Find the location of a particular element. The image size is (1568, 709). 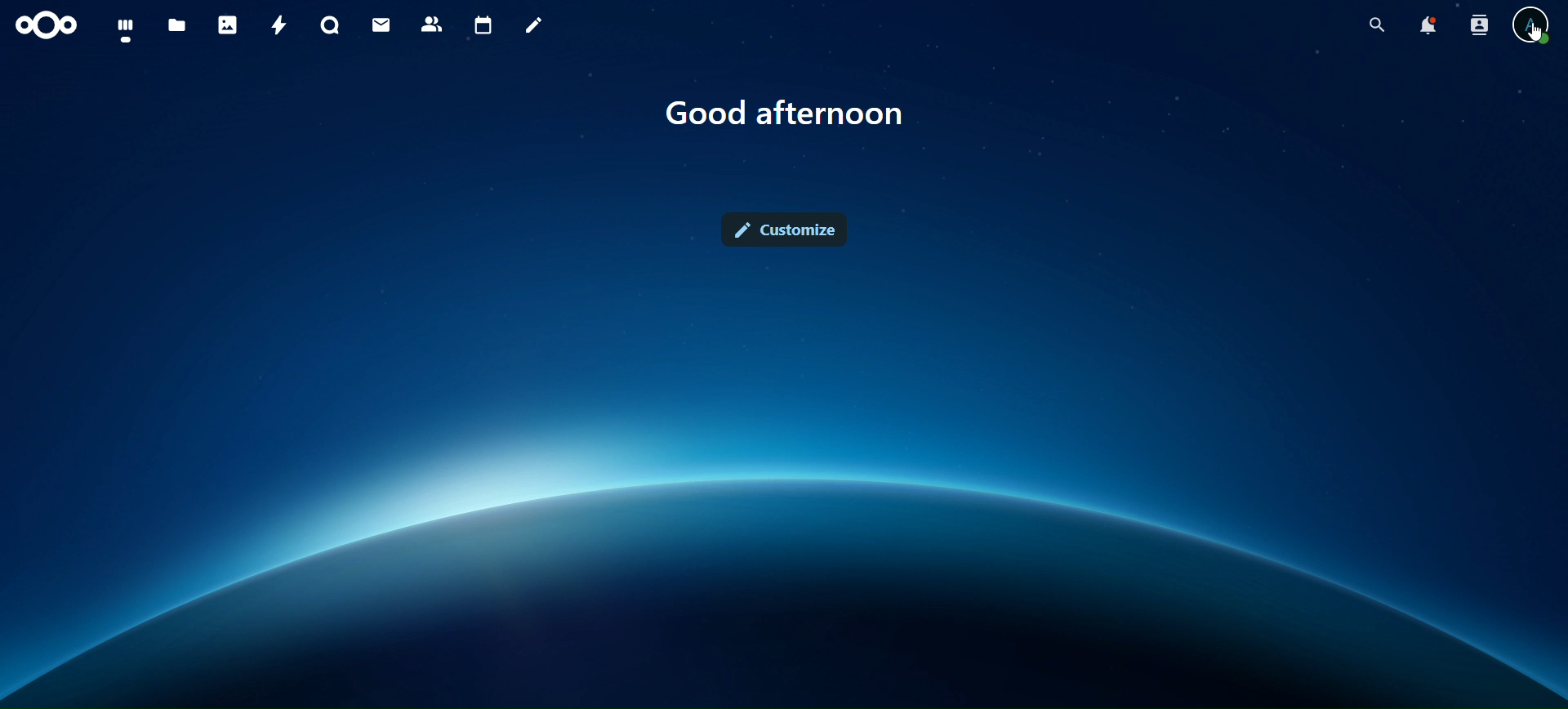

cursor is located at coordinates (1539, 35).